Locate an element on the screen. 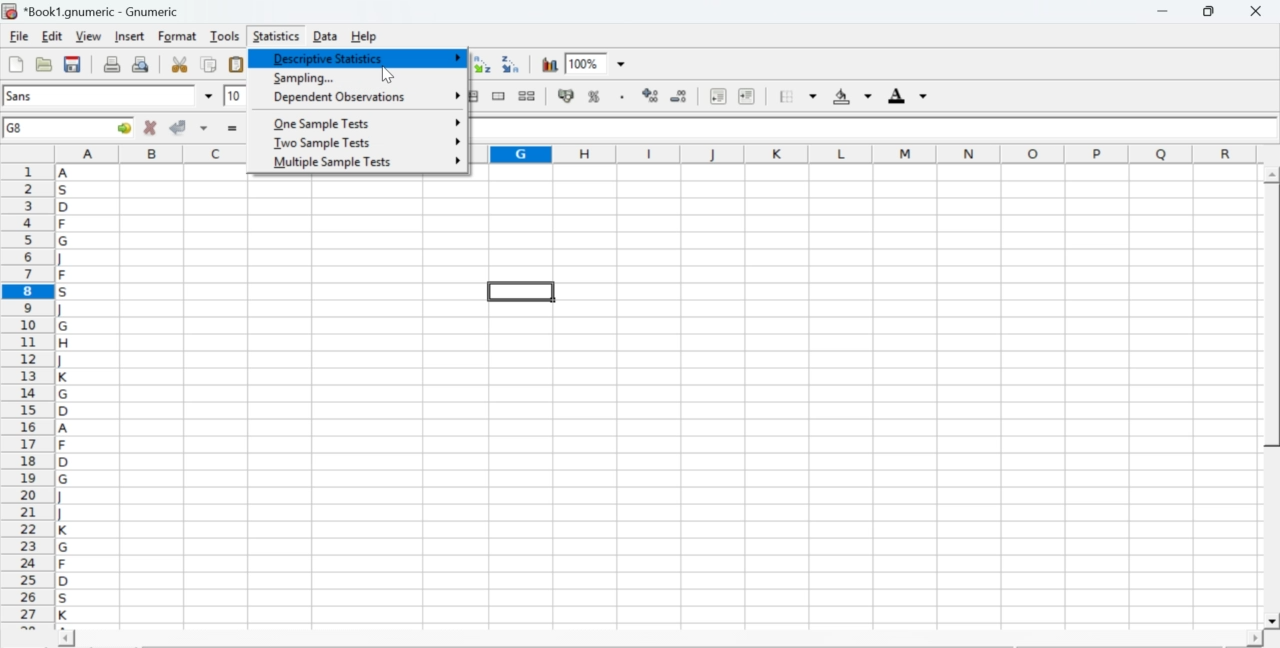 The image size is (1280, 648). align right is located at coordinates (442, 97).